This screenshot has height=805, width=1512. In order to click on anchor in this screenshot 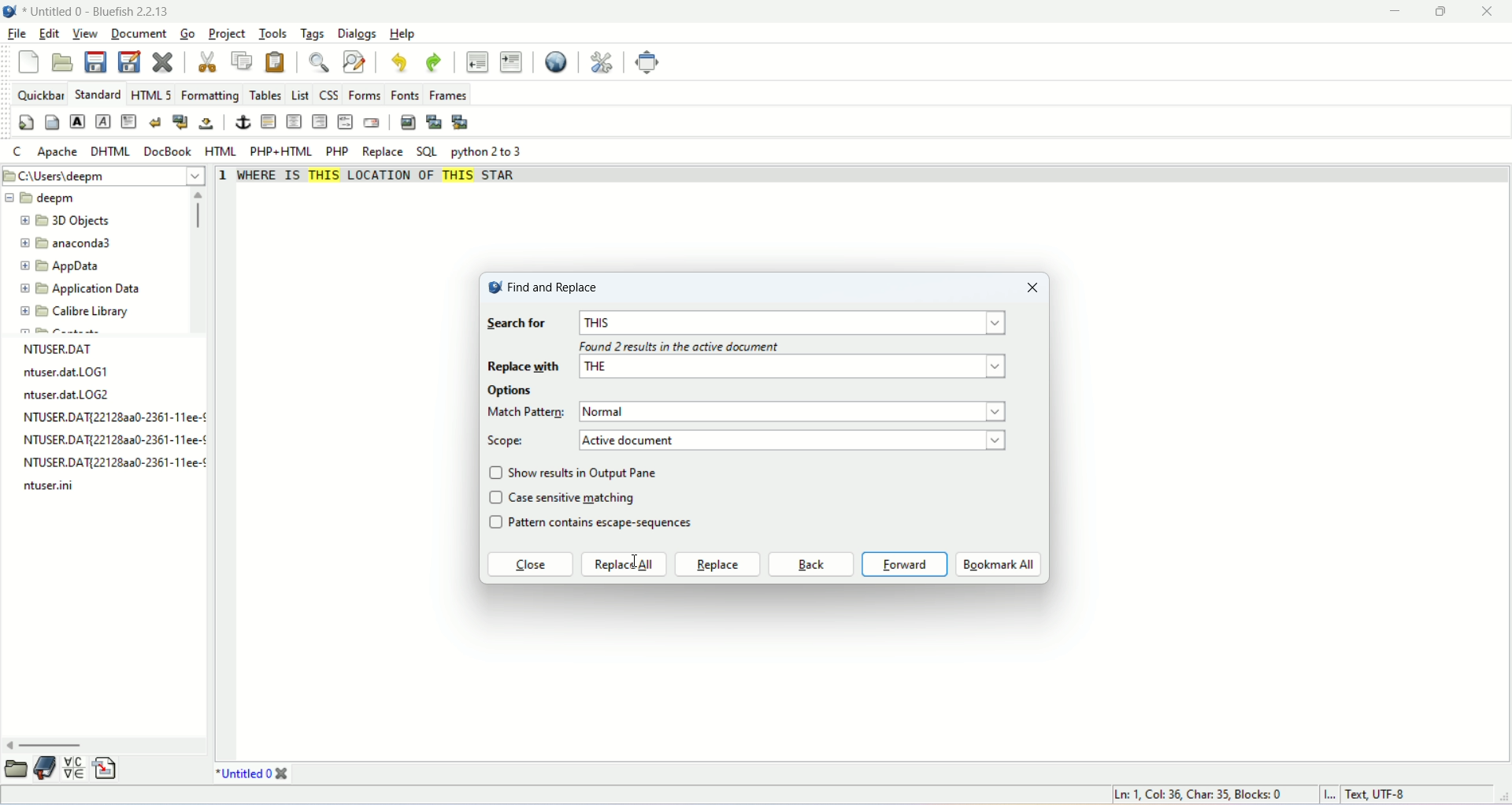, I will do `click(242, 122)`.